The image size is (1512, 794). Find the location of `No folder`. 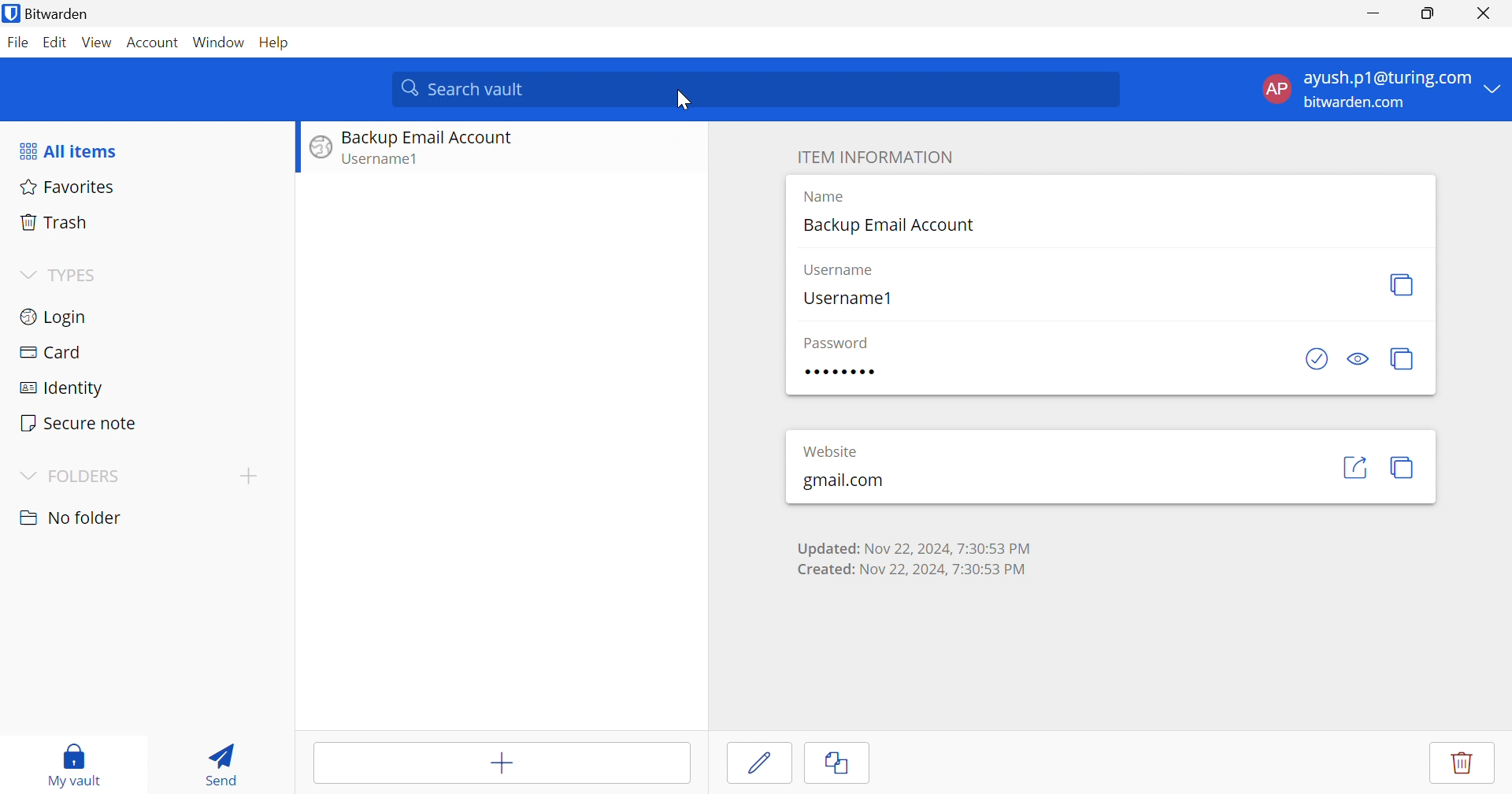

No folder is located at coordinates (72, 519).